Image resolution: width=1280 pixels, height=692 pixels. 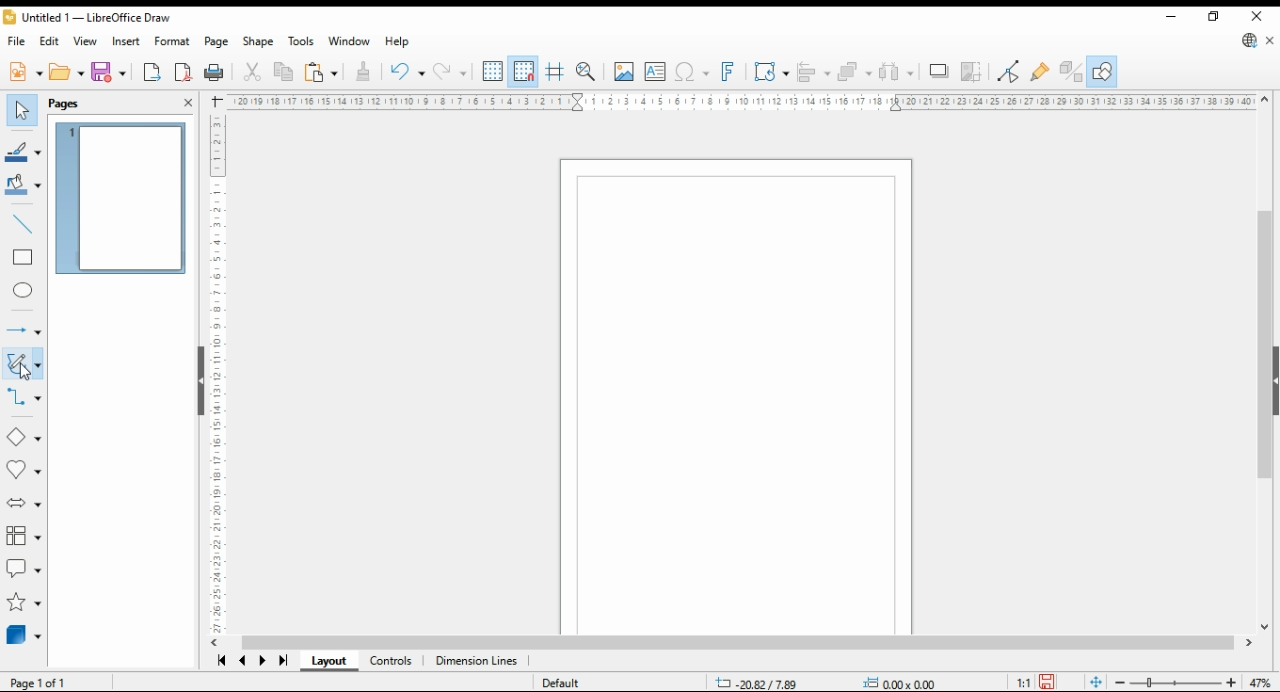 I want to click on connectors, so click(x=22, y=399).